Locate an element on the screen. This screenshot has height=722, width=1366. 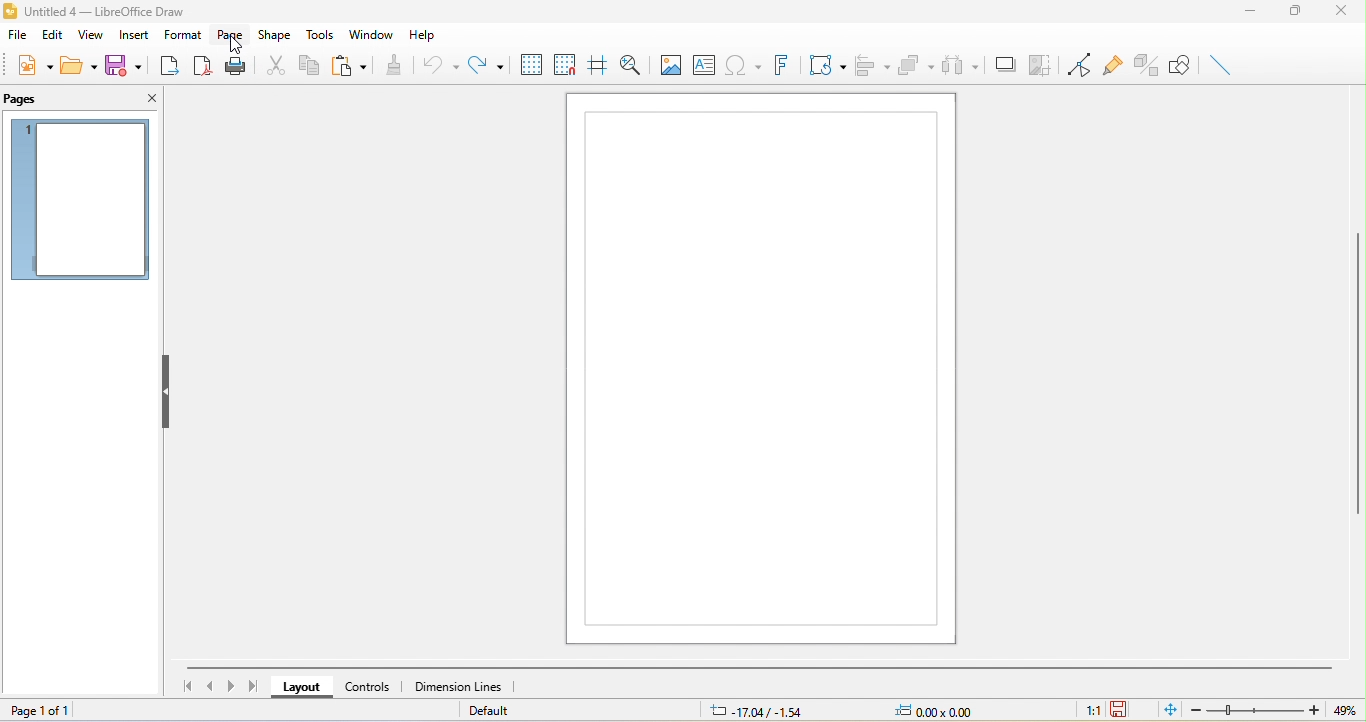
export is located at coordinates (167, 69).